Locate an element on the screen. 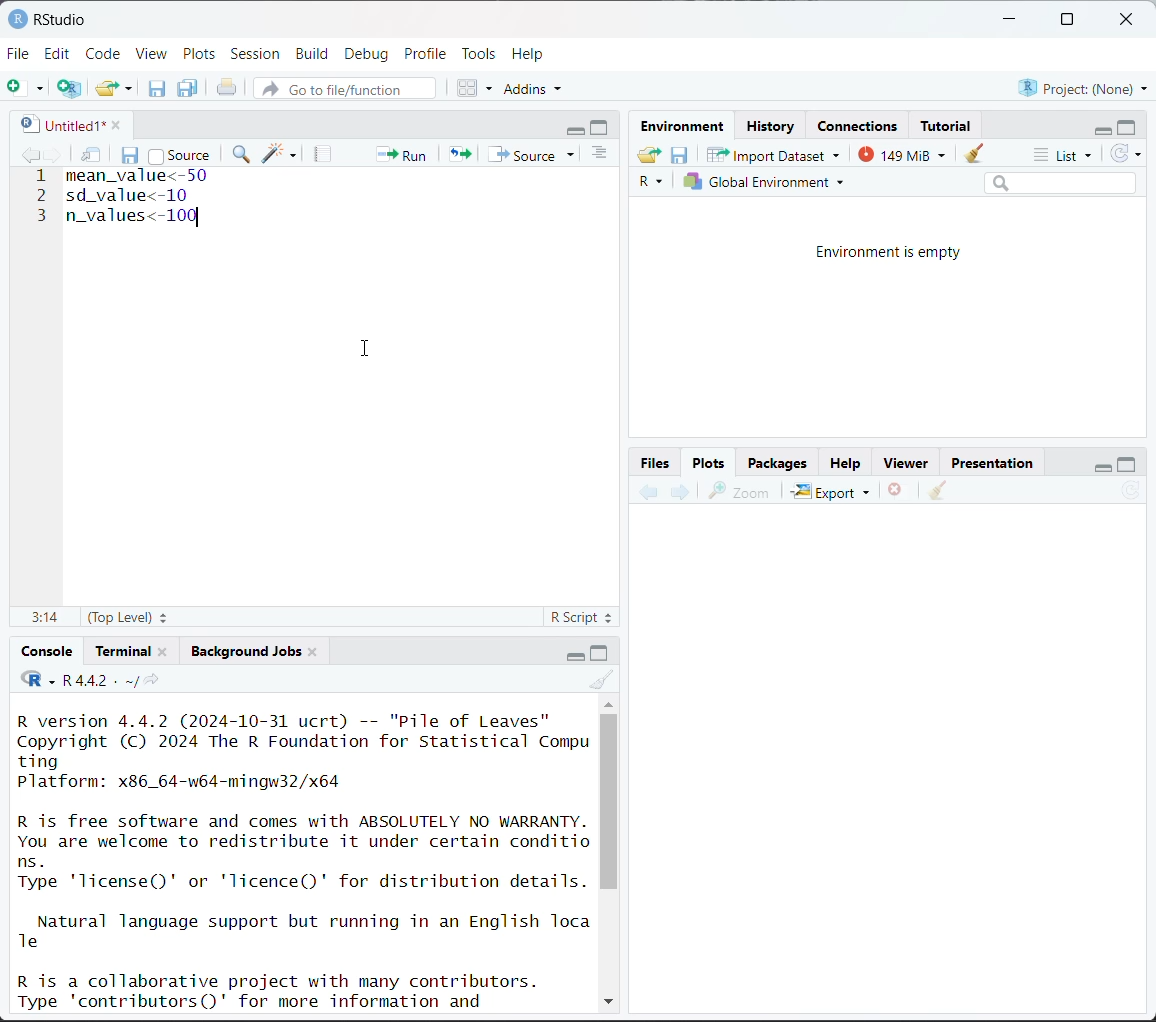 The height and width of the screenshot is (1022, 1156). run is located at coordinates (399, 153).